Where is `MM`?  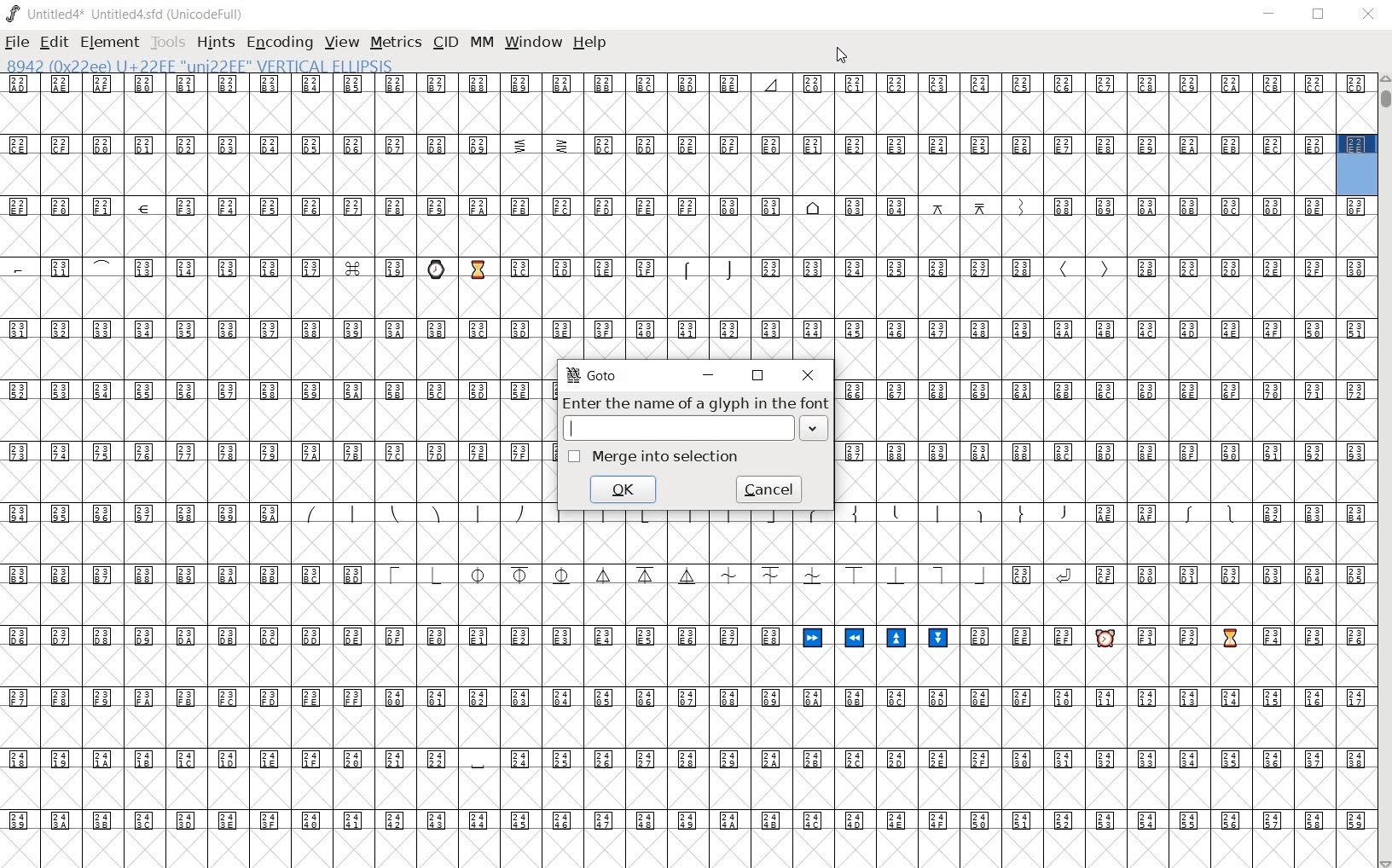
MM is located at coordinates (481, 45).